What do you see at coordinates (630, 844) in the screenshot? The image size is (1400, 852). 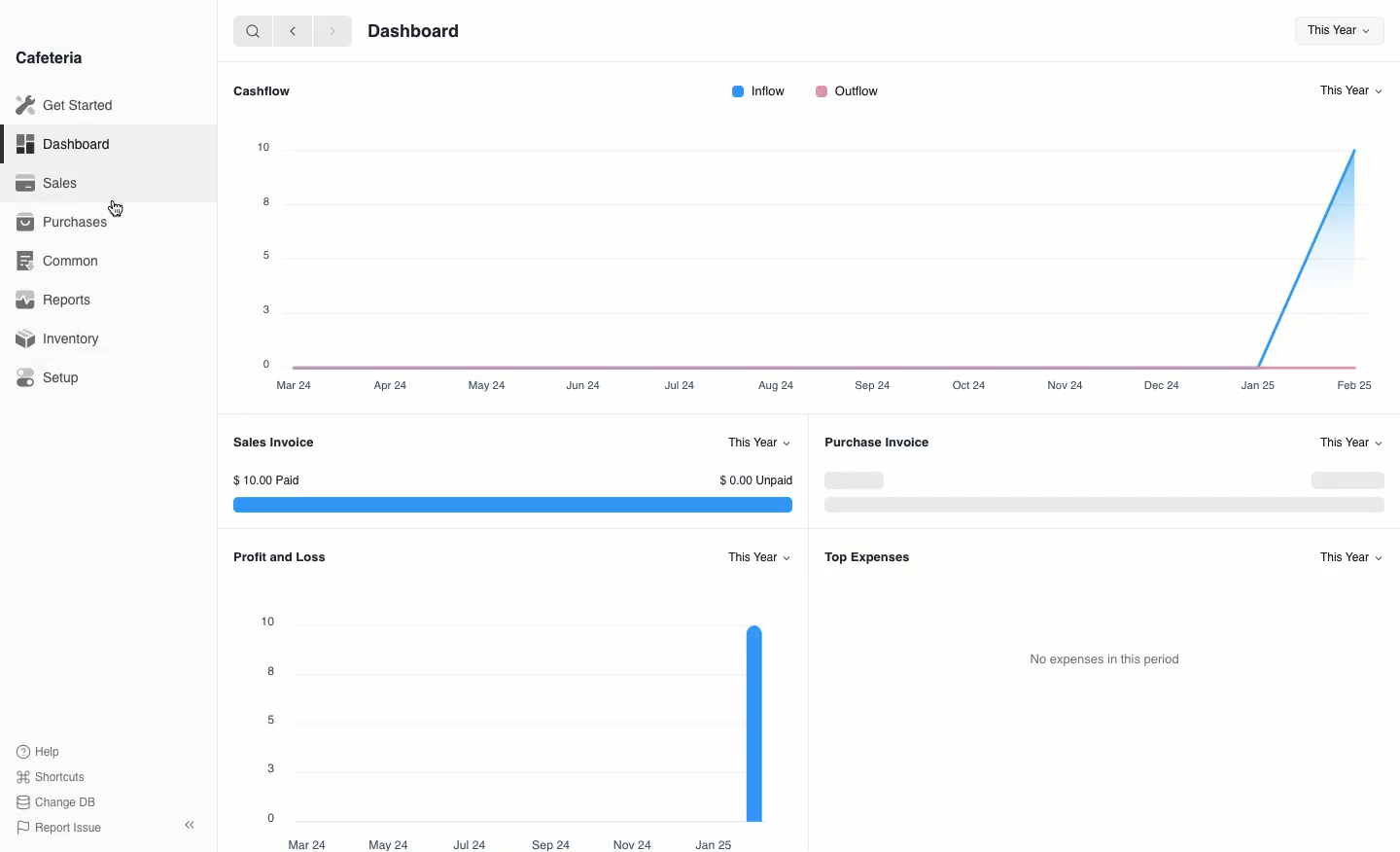 I see `Nov 24` at bounding box center [630, 844].